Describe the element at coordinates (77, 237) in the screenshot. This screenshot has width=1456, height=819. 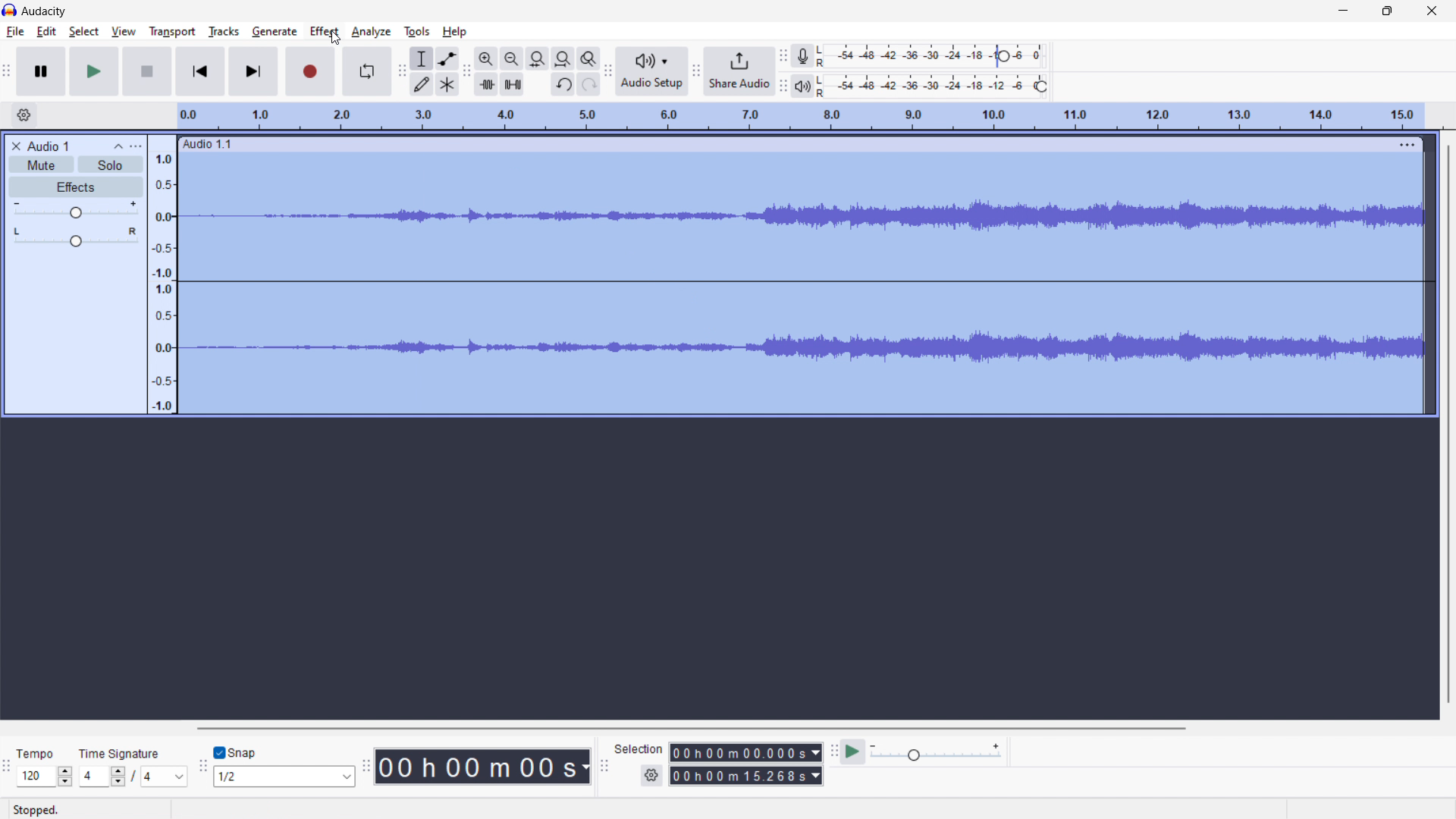
I see `pan: center` at that location.